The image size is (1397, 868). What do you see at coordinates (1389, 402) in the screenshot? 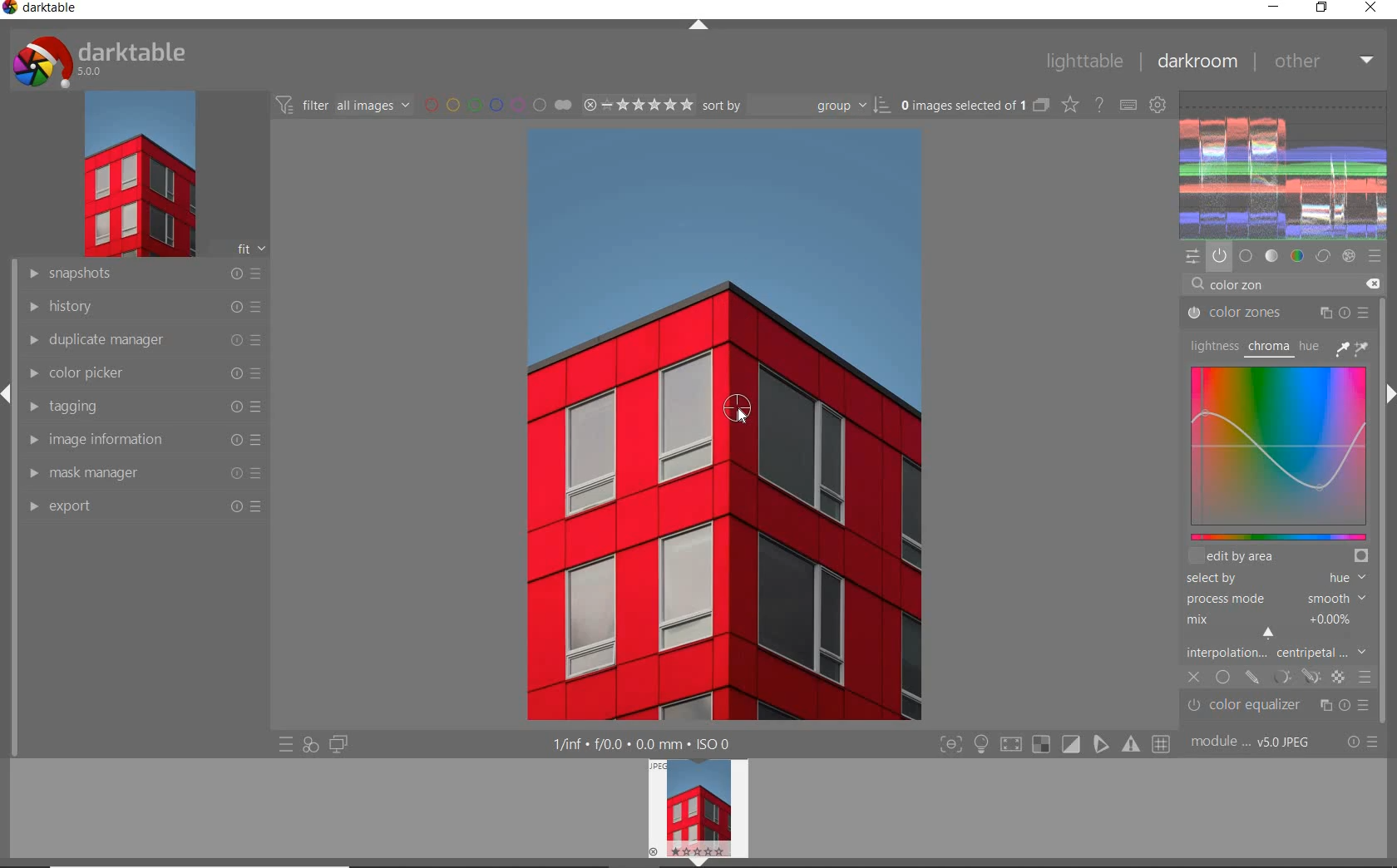
I see `expand/collapse` at bounding box center [1389, 402].